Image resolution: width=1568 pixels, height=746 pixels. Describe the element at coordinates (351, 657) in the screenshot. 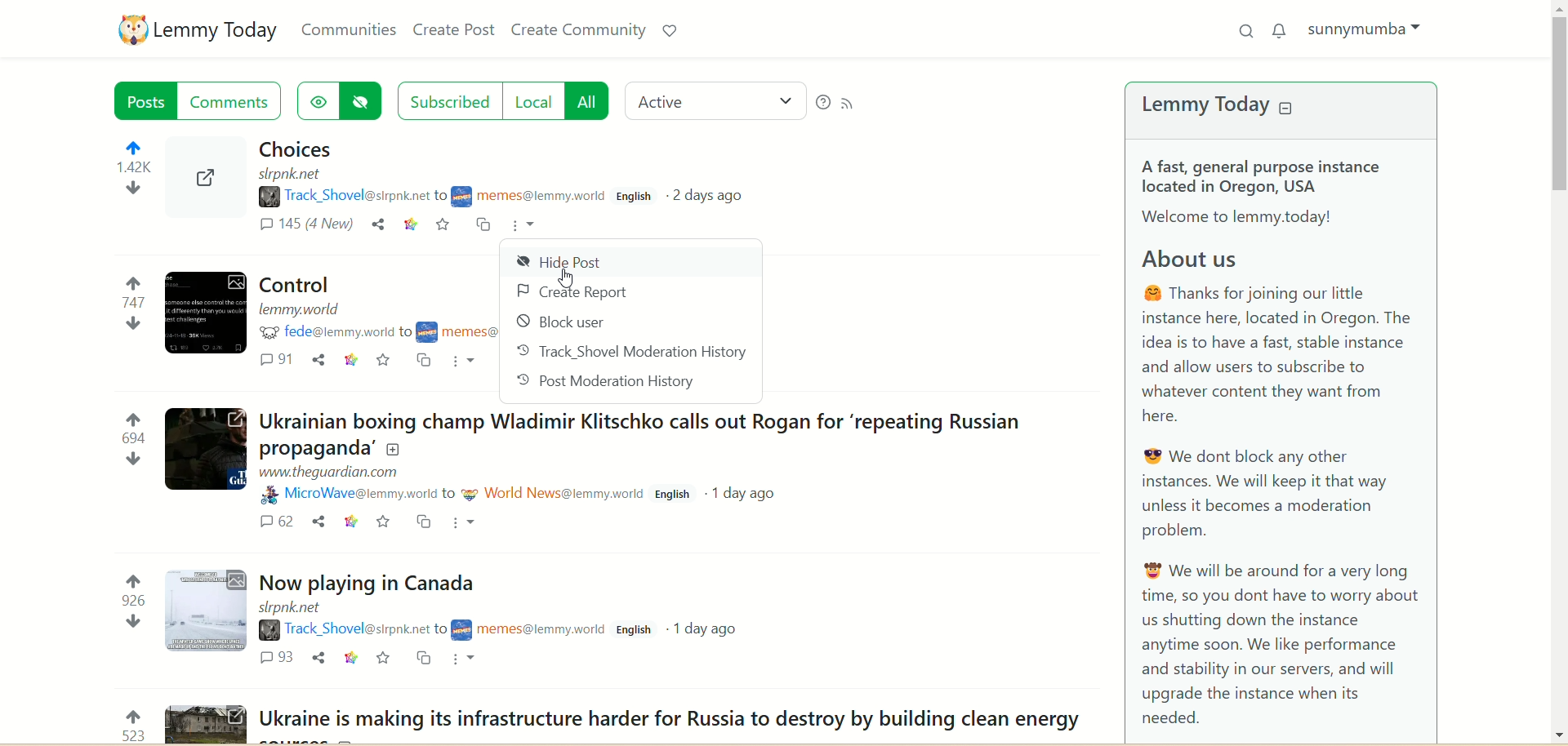

I see `link` at that location.